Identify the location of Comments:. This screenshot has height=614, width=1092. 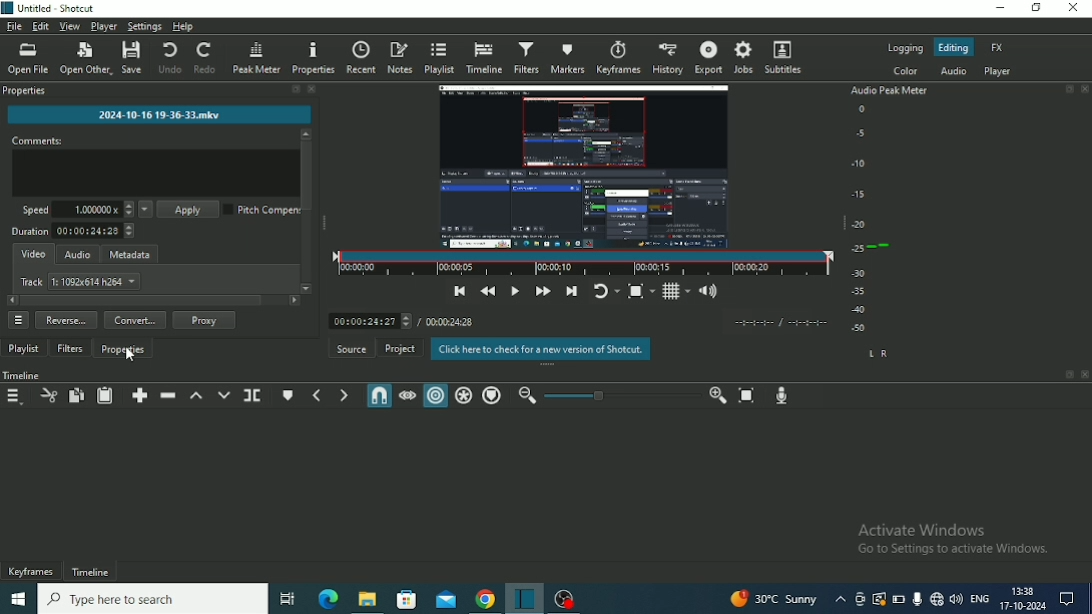
(37, 140).